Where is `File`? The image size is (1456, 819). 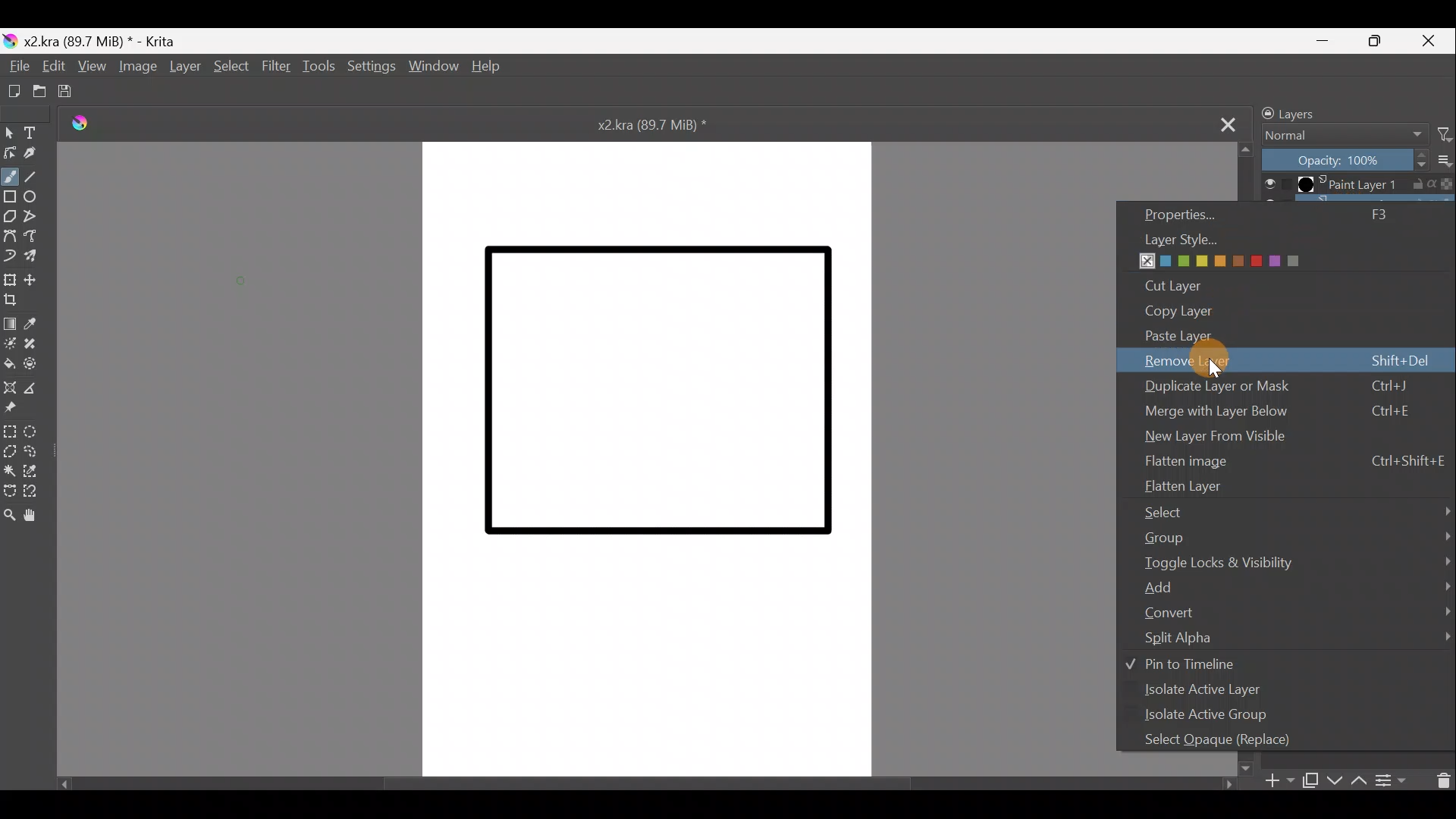
File is located at coordinates (14, 66).